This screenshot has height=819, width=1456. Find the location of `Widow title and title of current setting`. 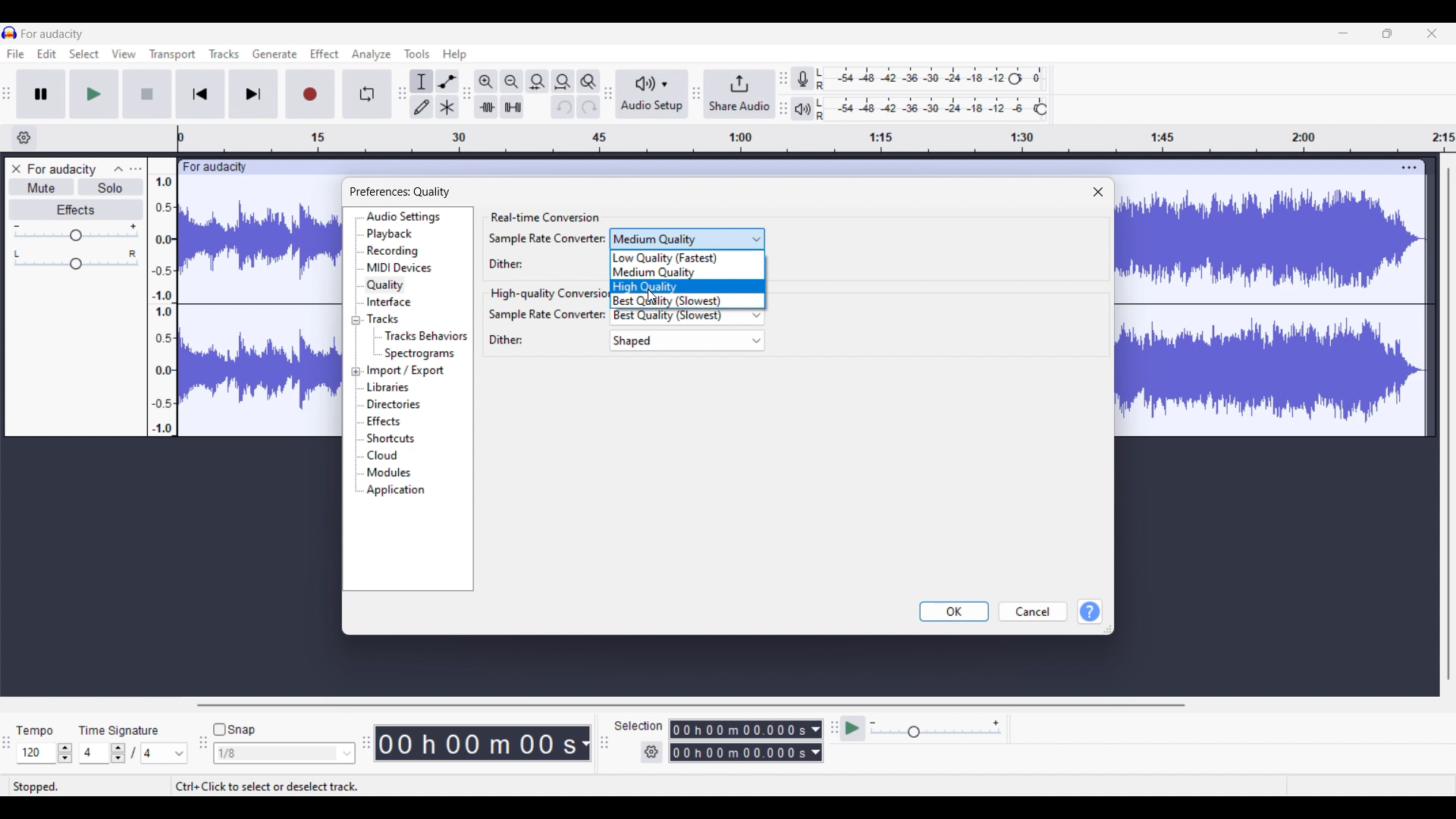

Widow title and title of current setting is located at coordinates (400, 192).